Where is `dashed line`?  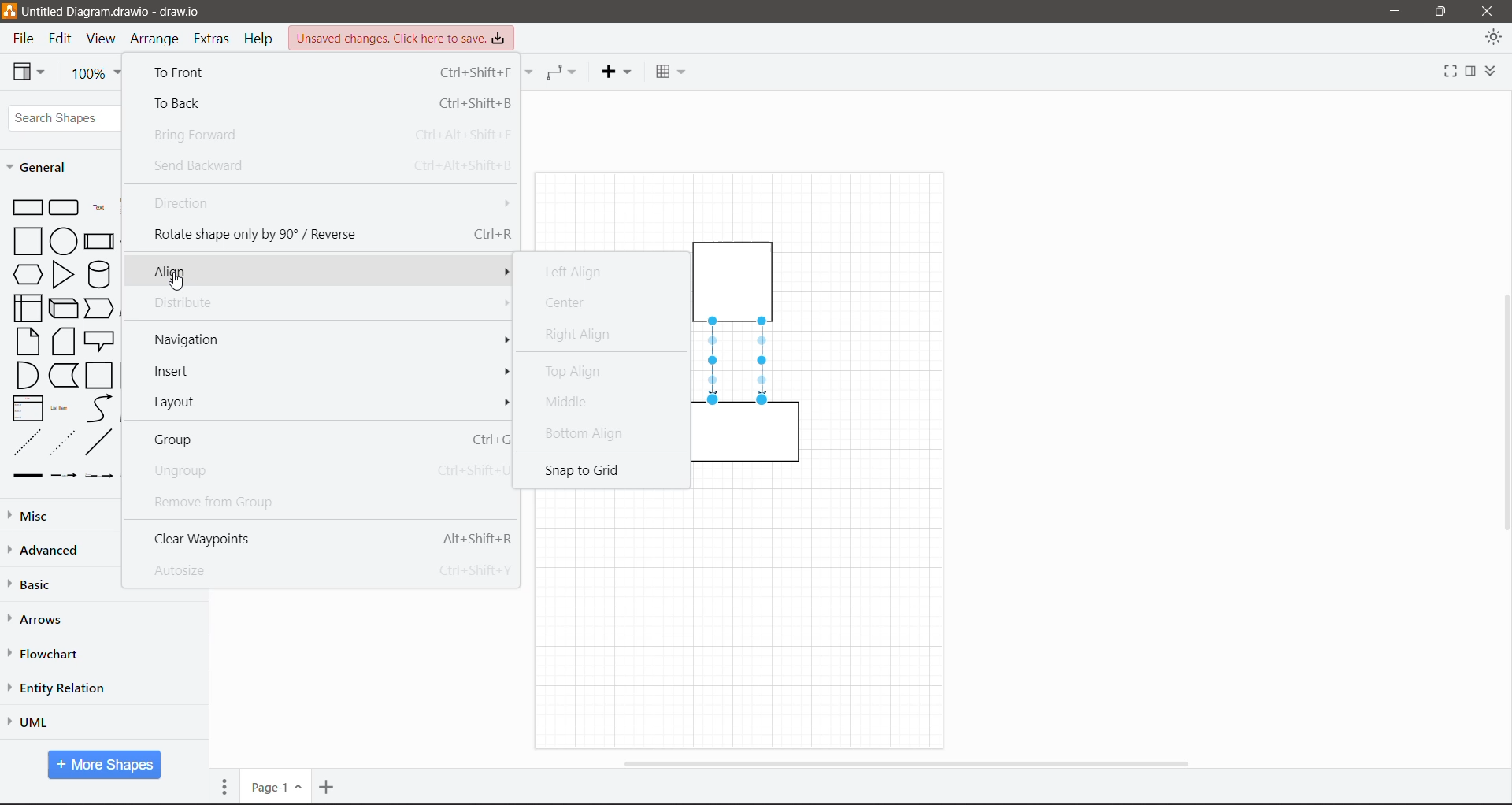 dashed line is located at coordinates (28, 442).